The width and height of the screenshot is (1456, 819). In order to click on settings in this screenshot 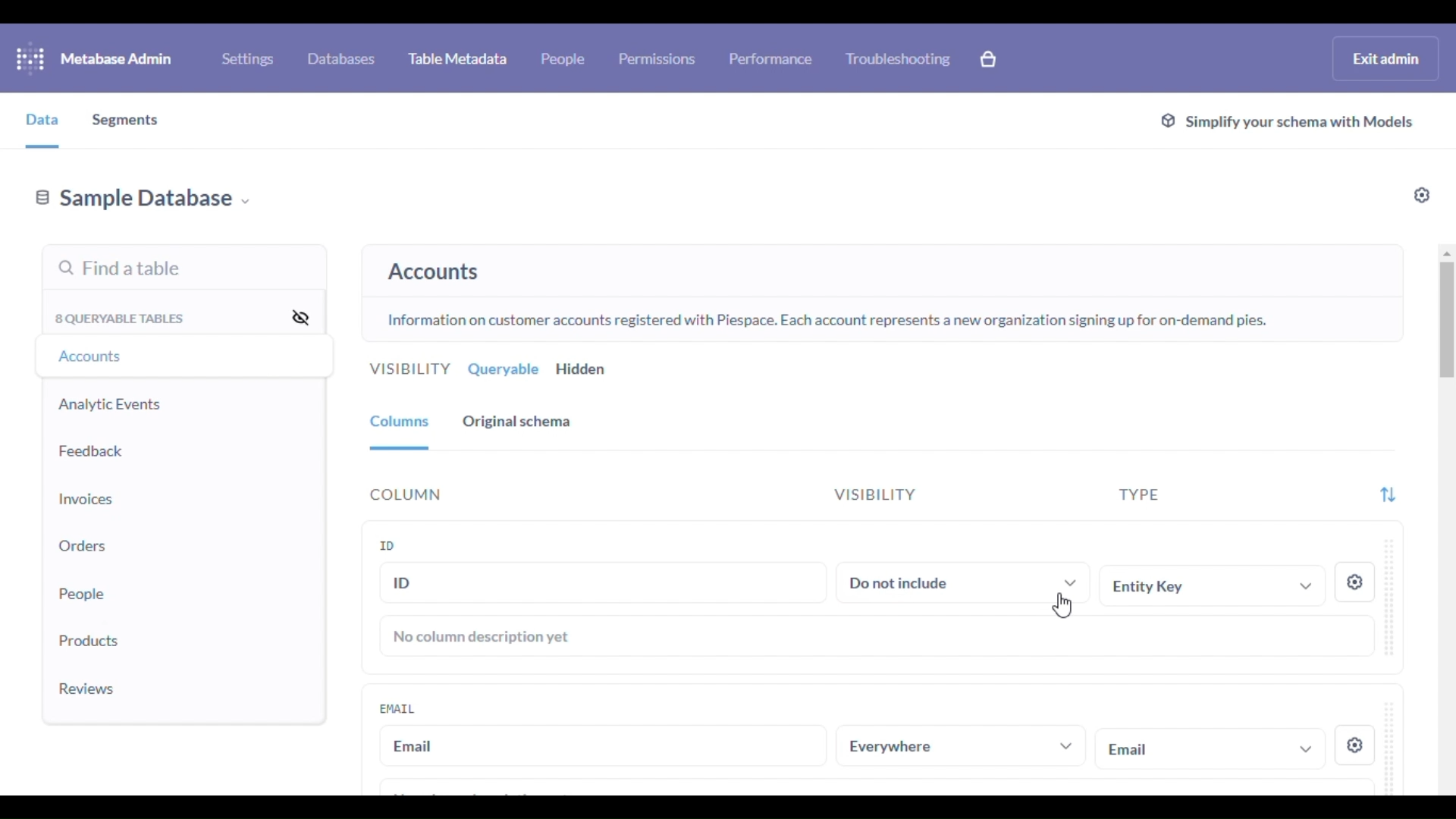, I will do `click(247, 59)`.